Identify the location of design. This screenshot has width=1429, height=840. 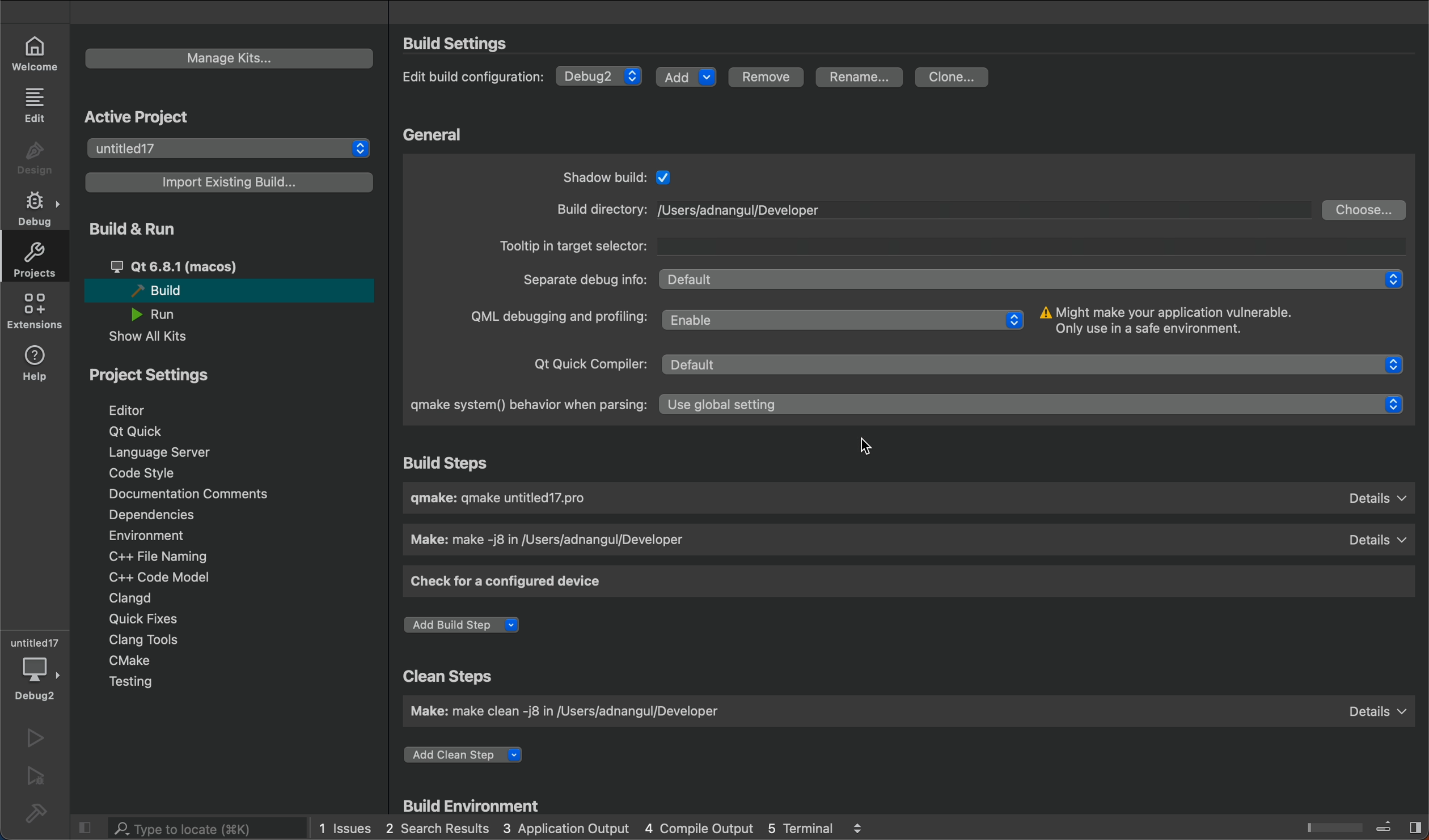
(32, 155).